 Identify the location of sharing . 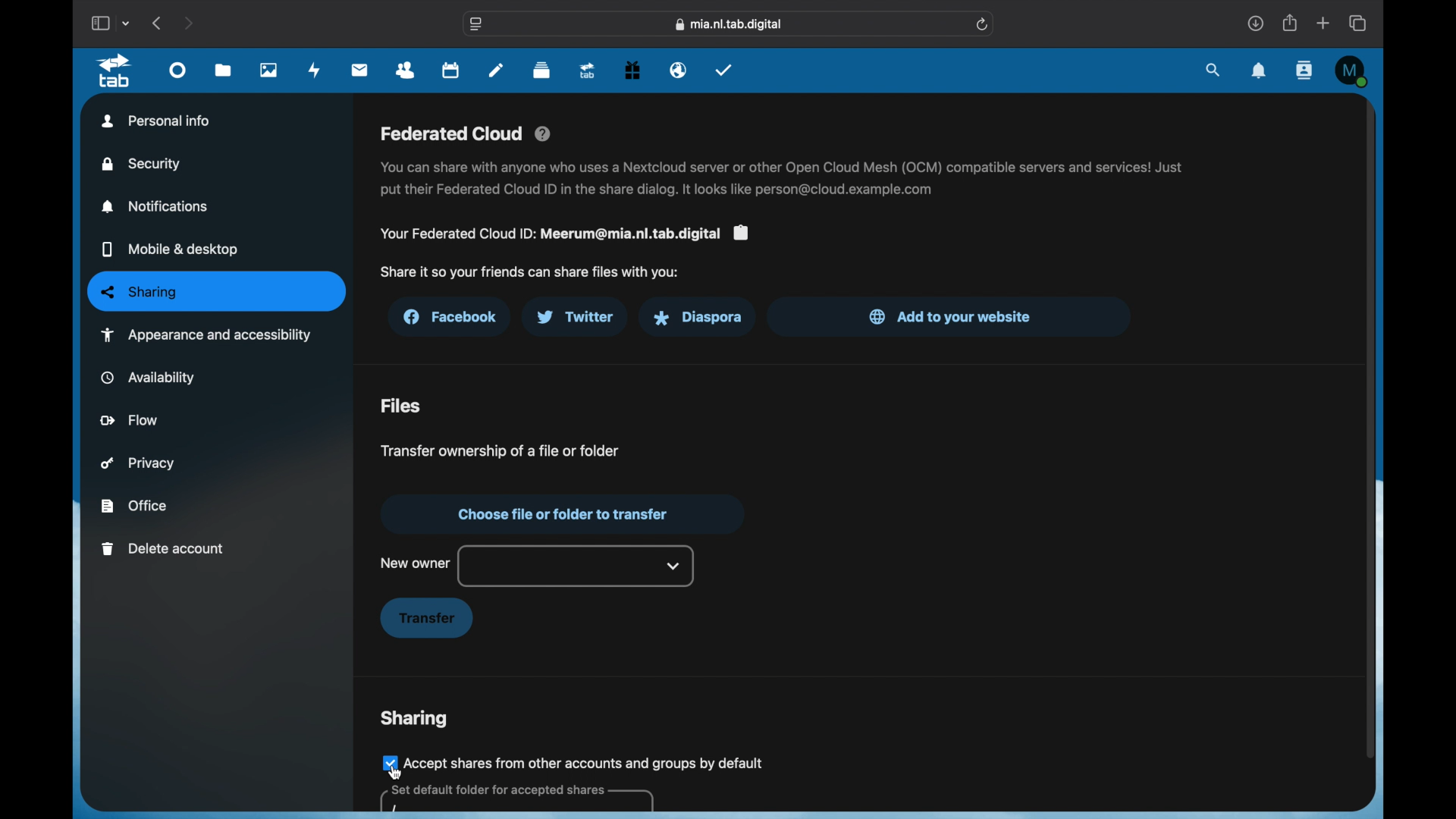
(218, 292).